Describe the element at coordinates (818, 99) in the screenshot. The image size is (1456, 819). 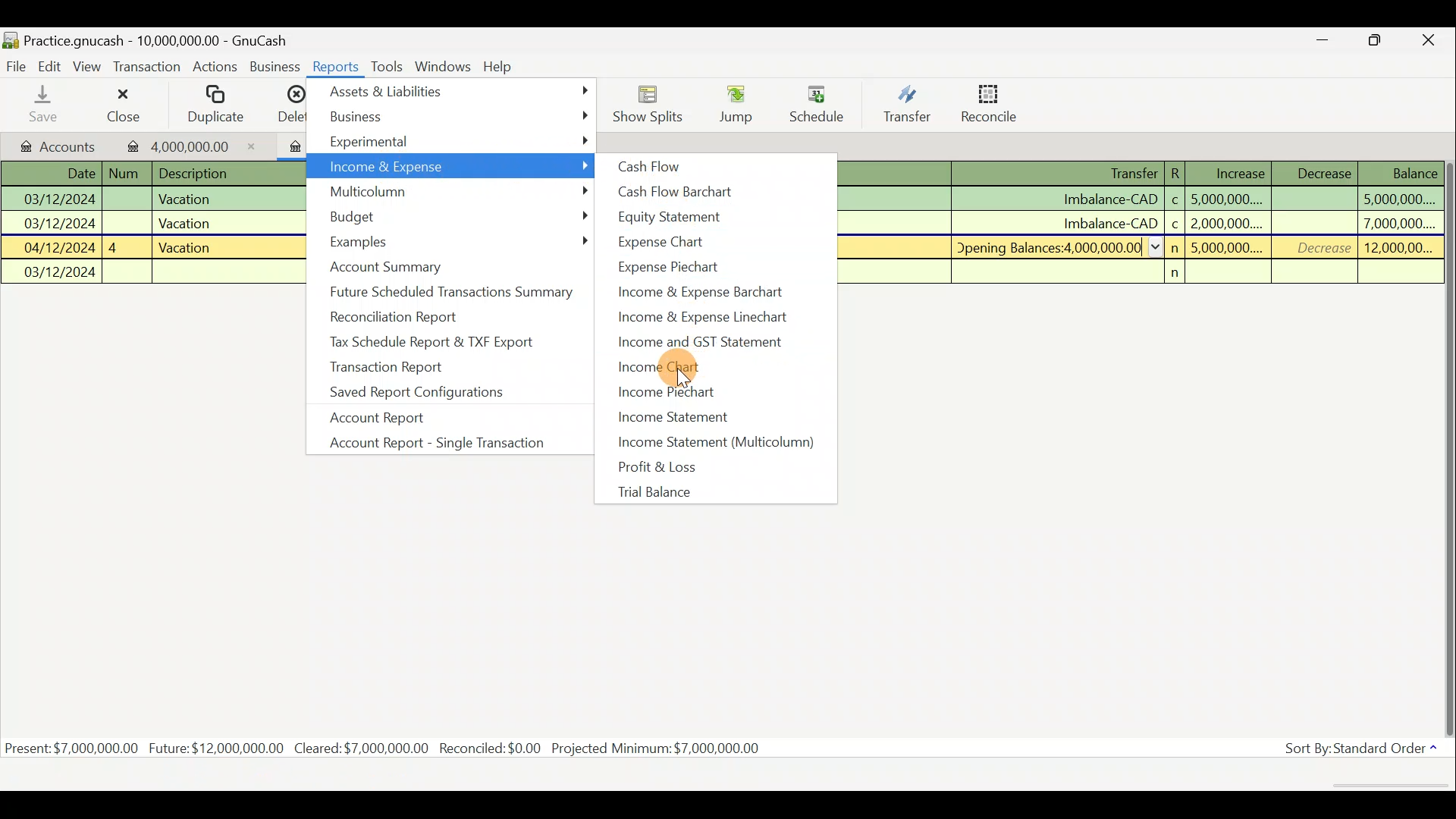
I see `Schedule` at that location.